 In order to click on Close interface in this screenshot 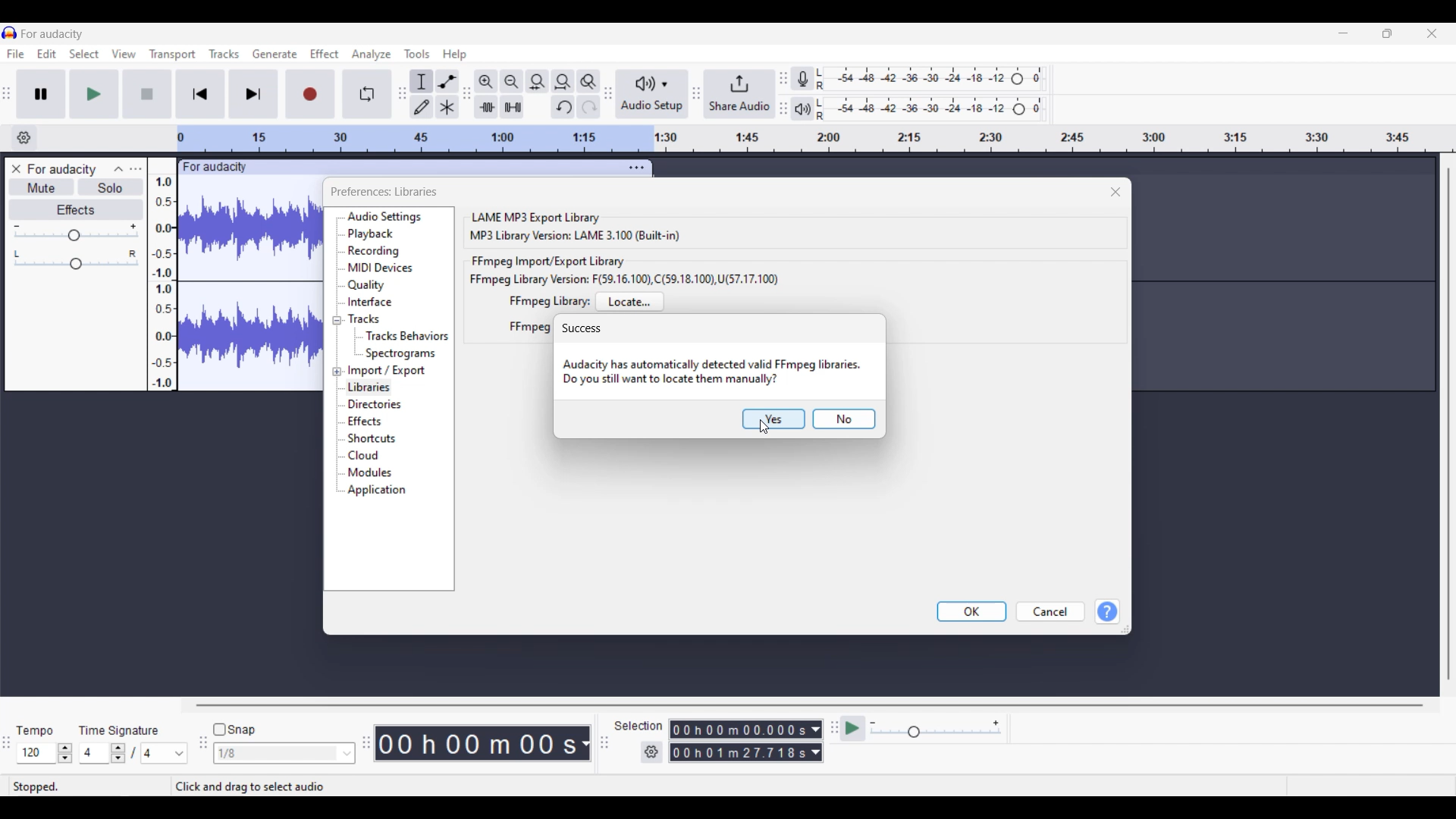, I will do `click(1432, 33)`.